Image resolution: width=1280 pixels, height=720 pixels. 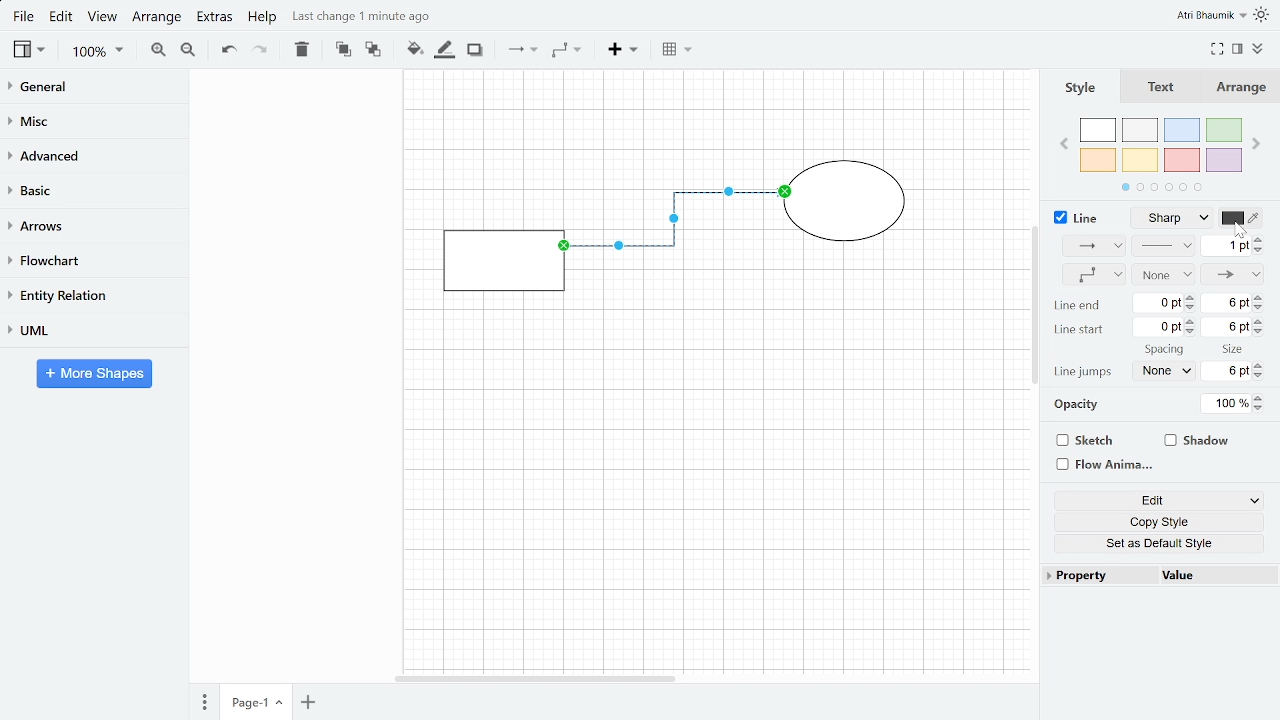 What do you see at coordinates (1234, 274) in the screenshot?
I see `Lie end` at bounding box center [1234, 274].